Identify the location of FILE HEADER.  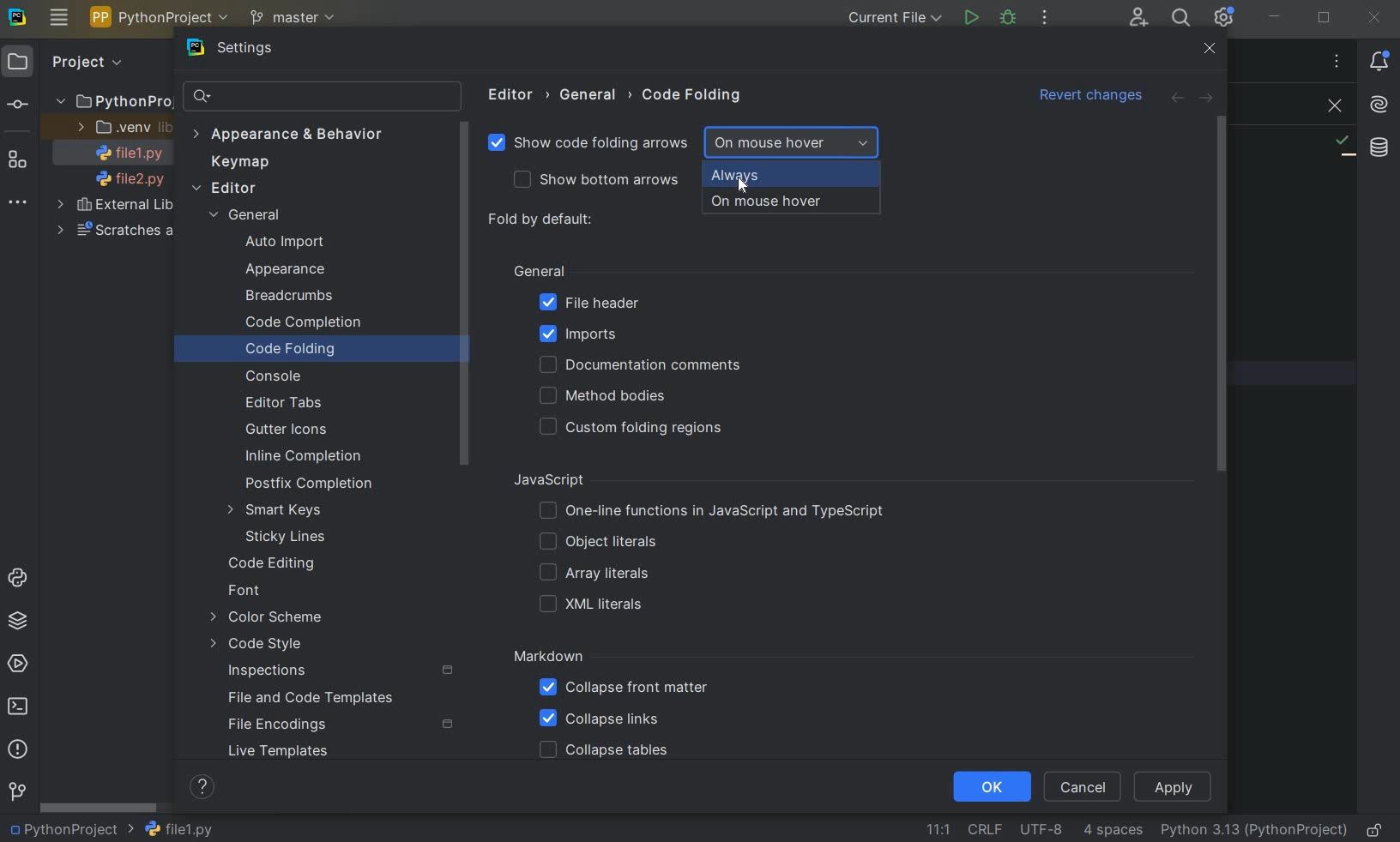
(588, 304).